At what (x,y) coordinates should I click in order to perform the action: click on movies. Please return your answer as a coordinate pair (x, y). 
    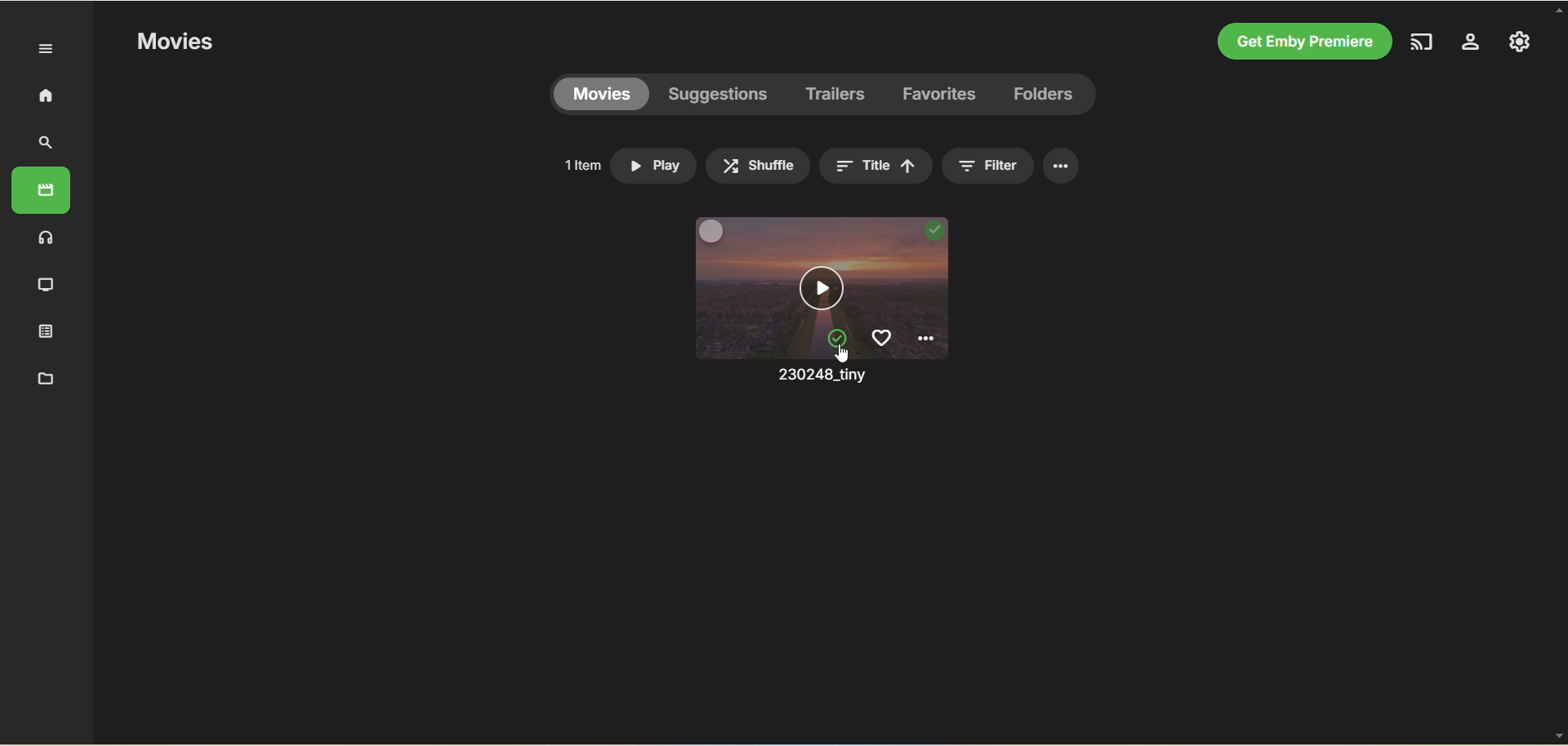
    Looking at the image, I should click on (43, 189).